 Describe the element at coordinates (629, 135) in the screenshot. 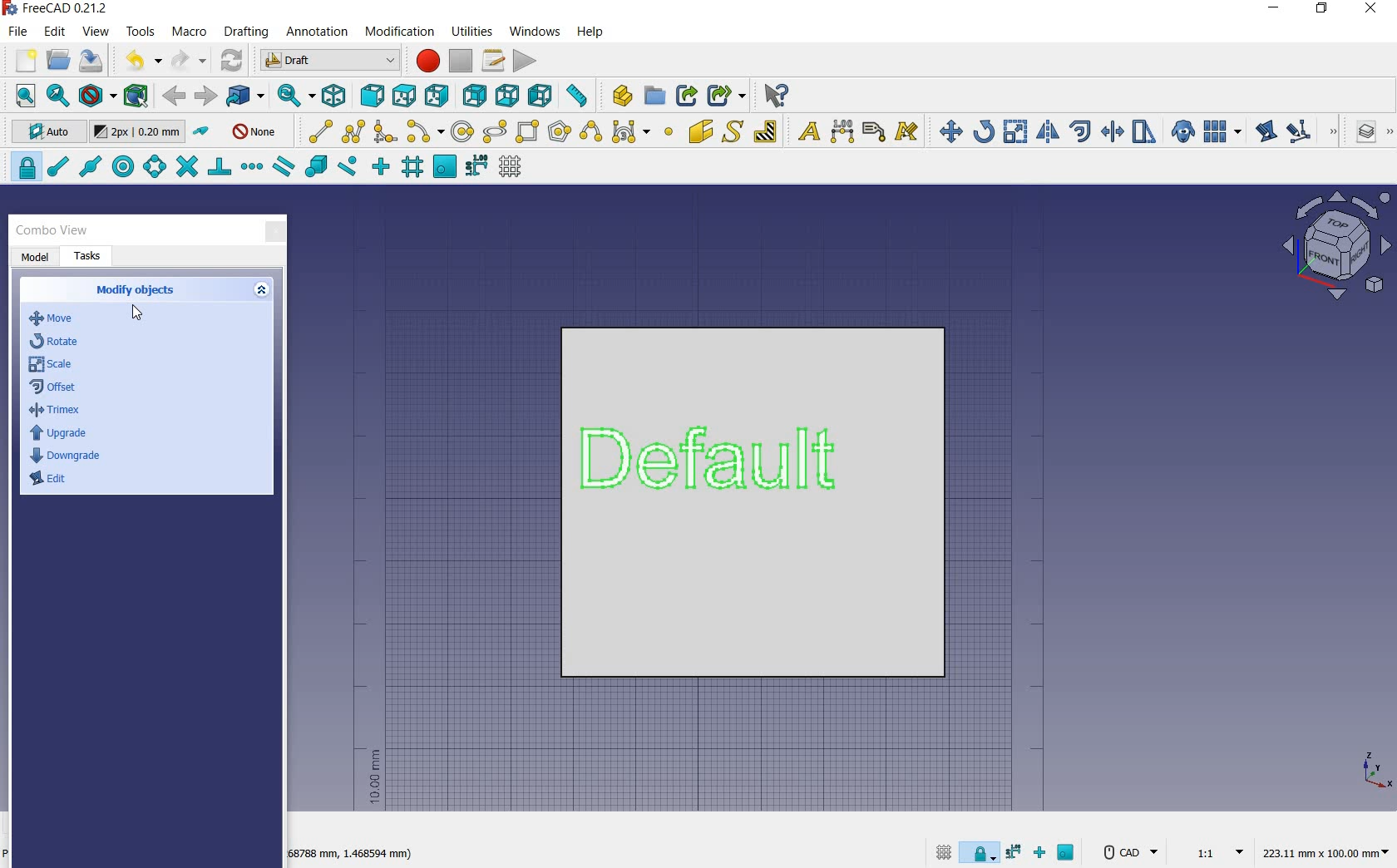

I see `Bezier tool` at that location.